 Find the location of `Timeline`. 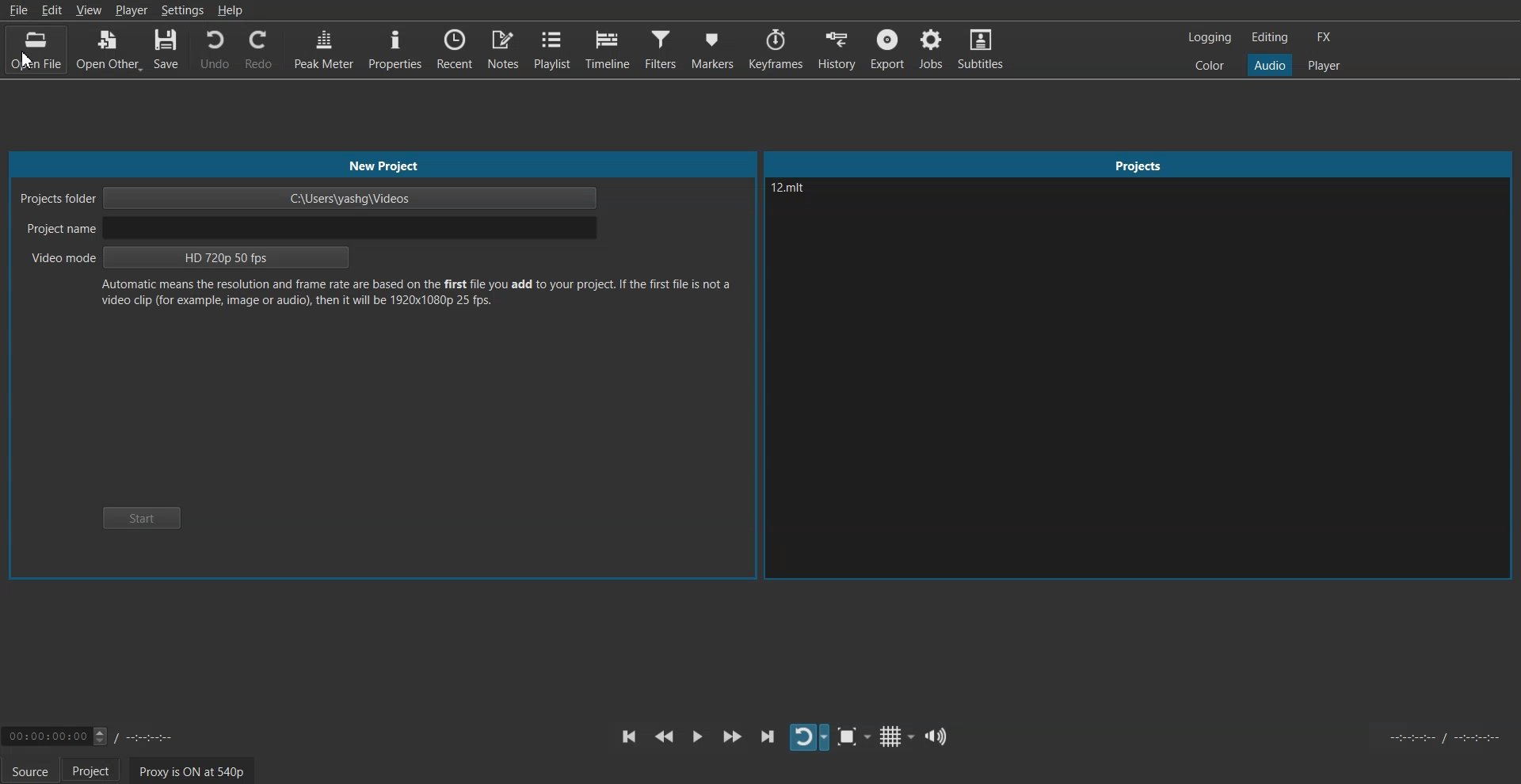

Timeline is located at coordinates (608, 48).